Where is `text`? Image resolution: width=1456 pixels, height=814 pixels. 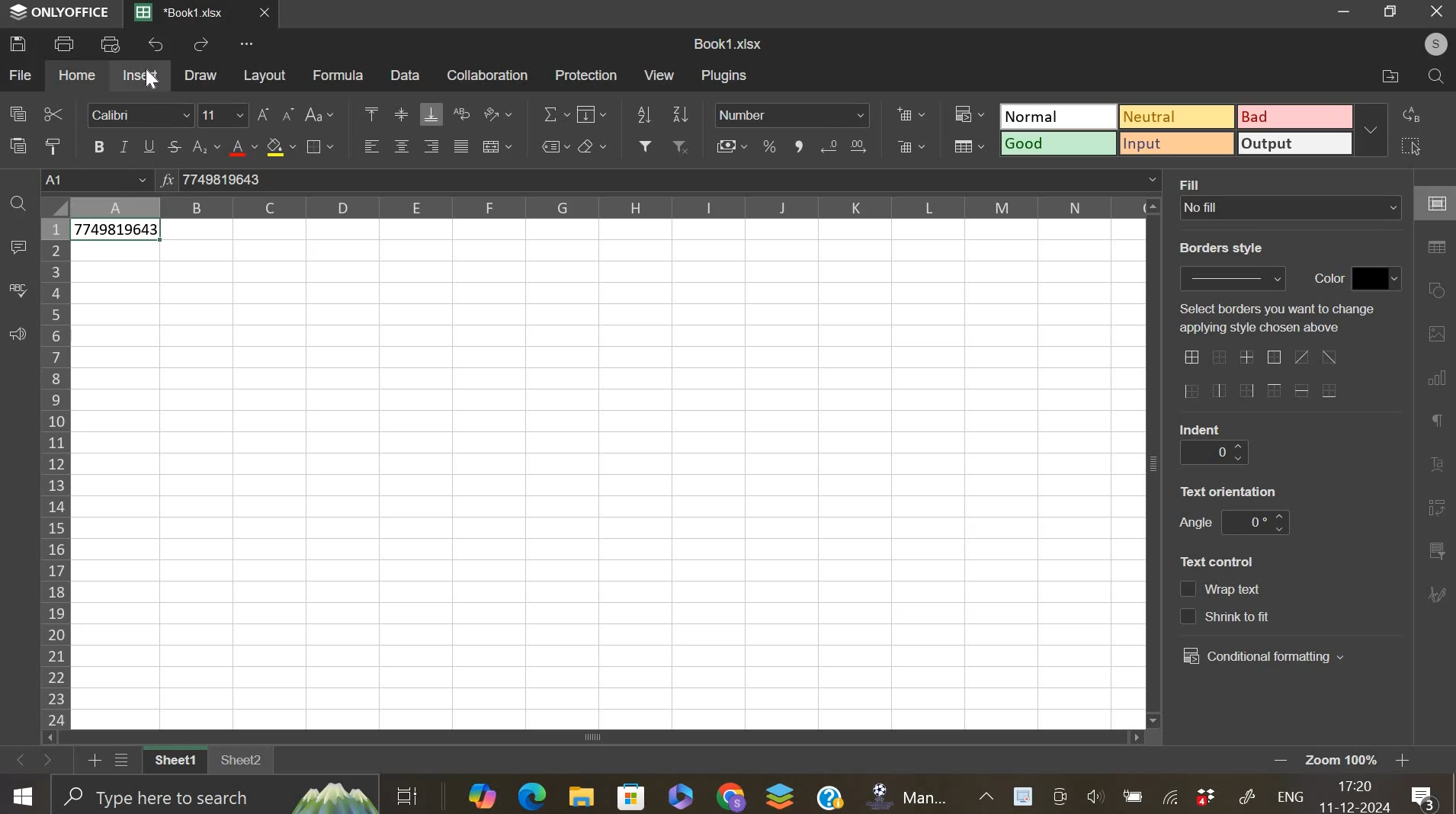 text is located at coordinates (1196, 183).